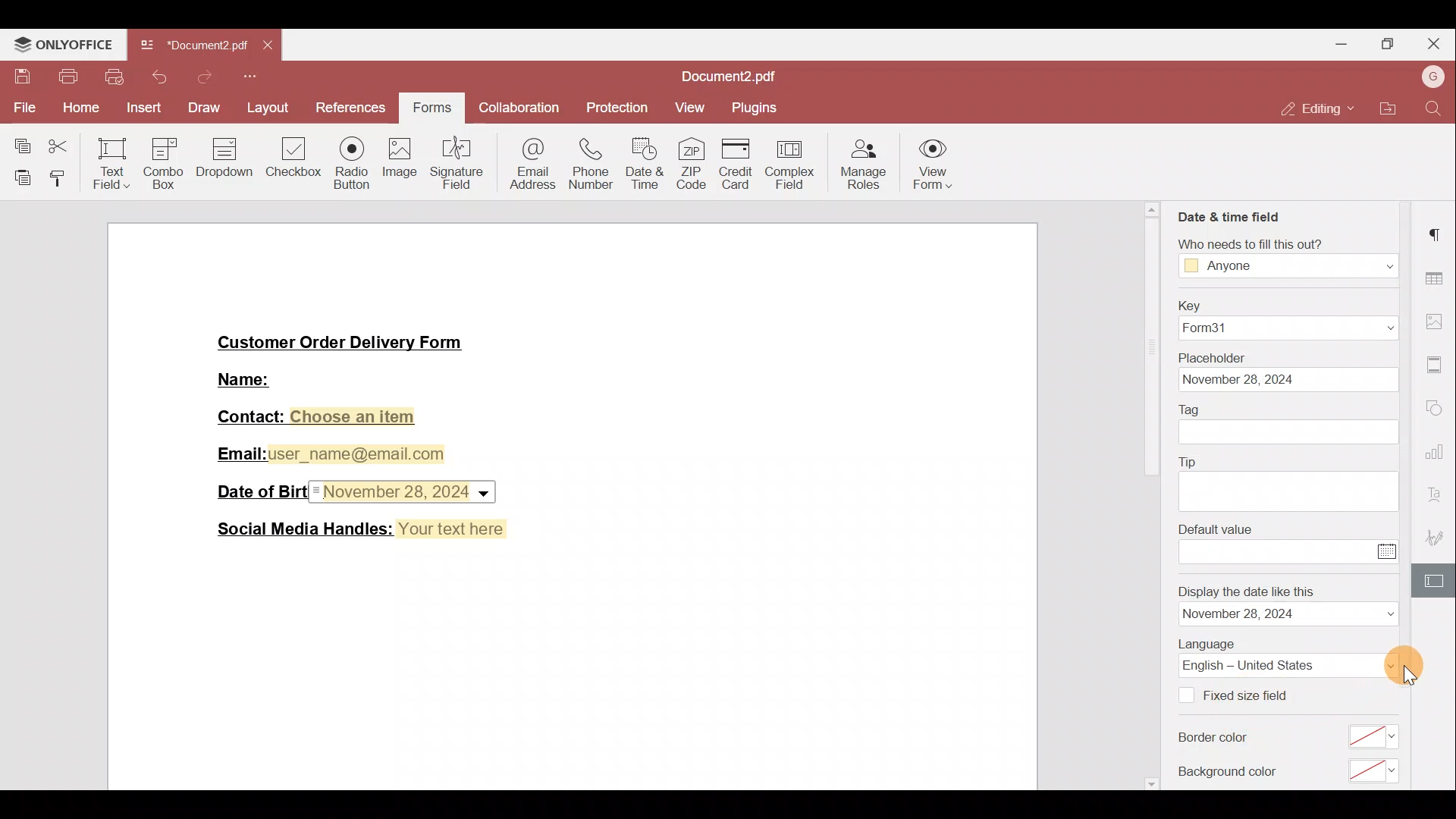 This screenshot has height=819, width=1456. I want to click on Form31, so click(1290, 329).